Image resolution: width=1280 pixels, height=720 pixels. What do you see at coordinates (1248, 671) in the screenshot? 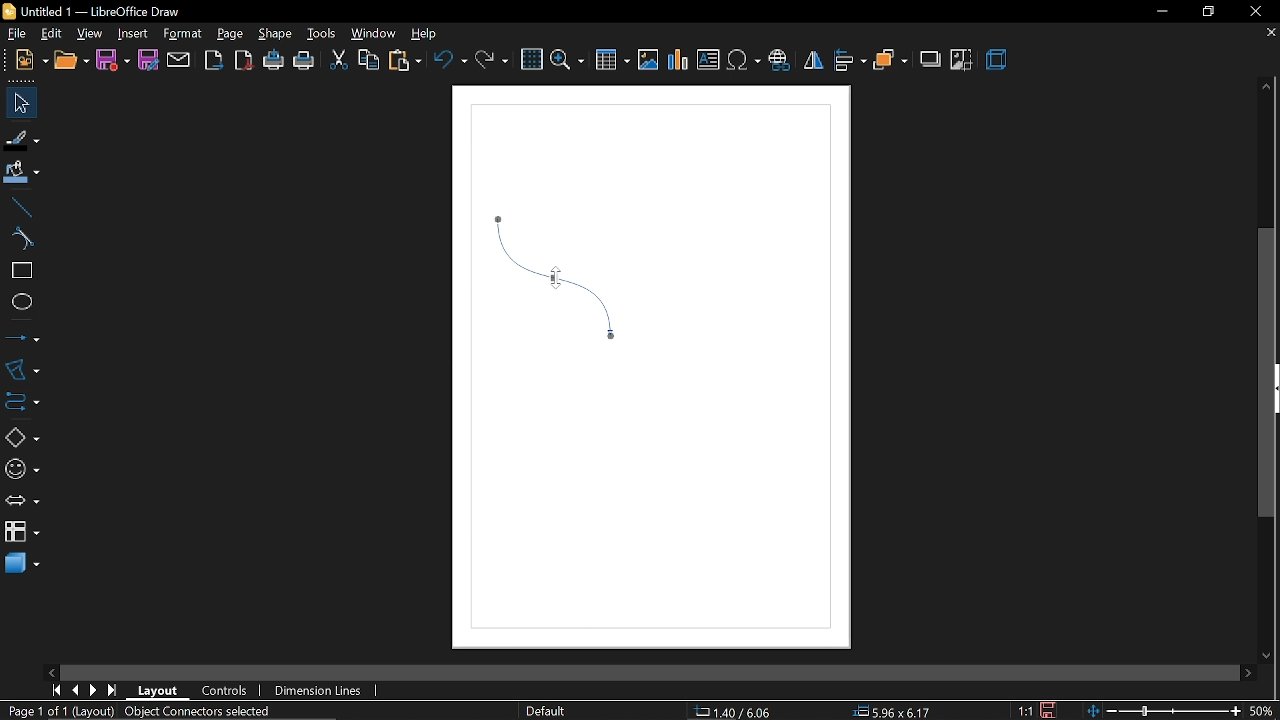
I see `move right` at bounding box center [1248, 671].